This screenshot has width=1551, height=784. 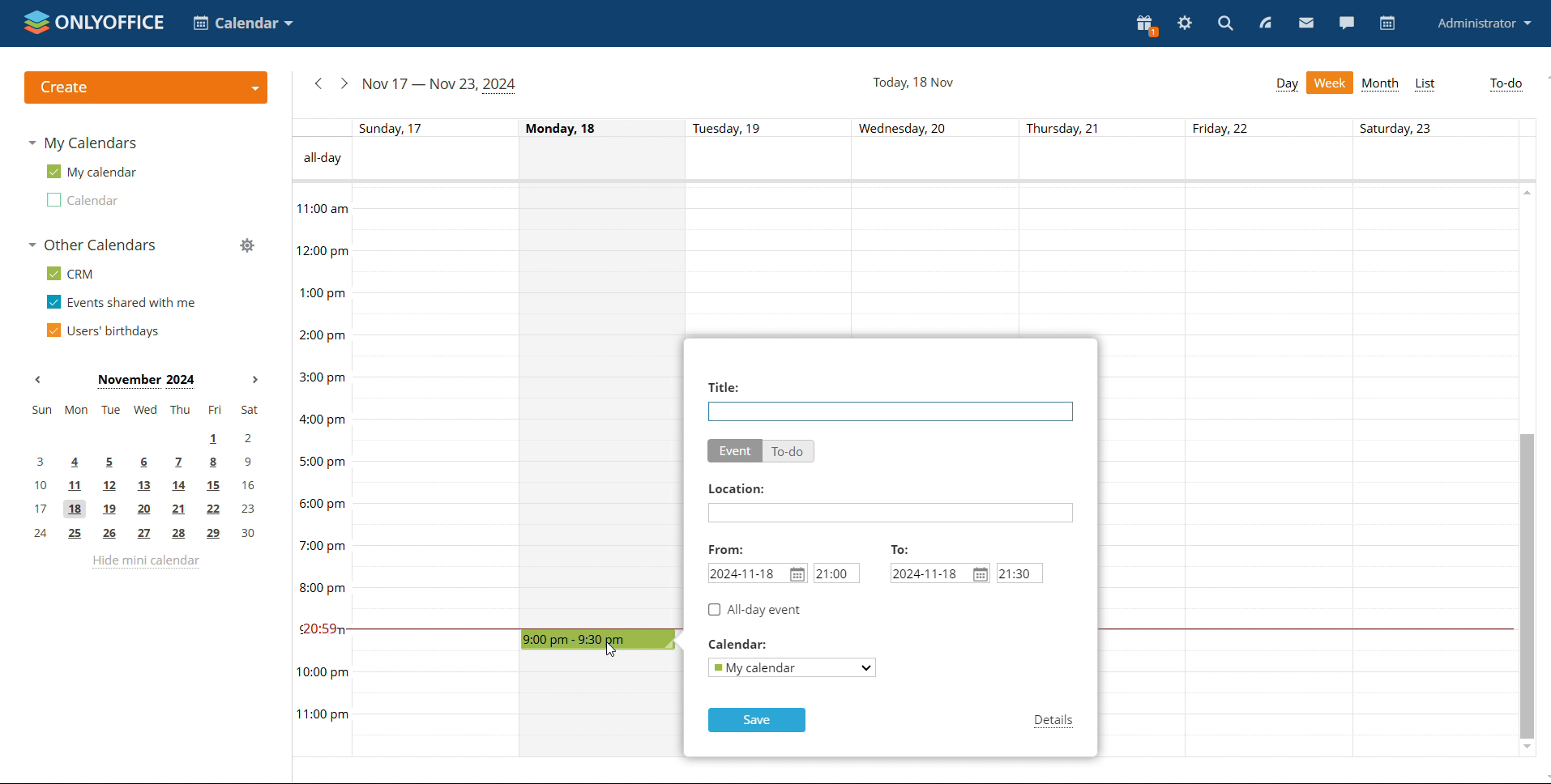 What do you see at coordinates (94, 24) in the screenshot?
I see `logo` at bounding box center [94, 24].